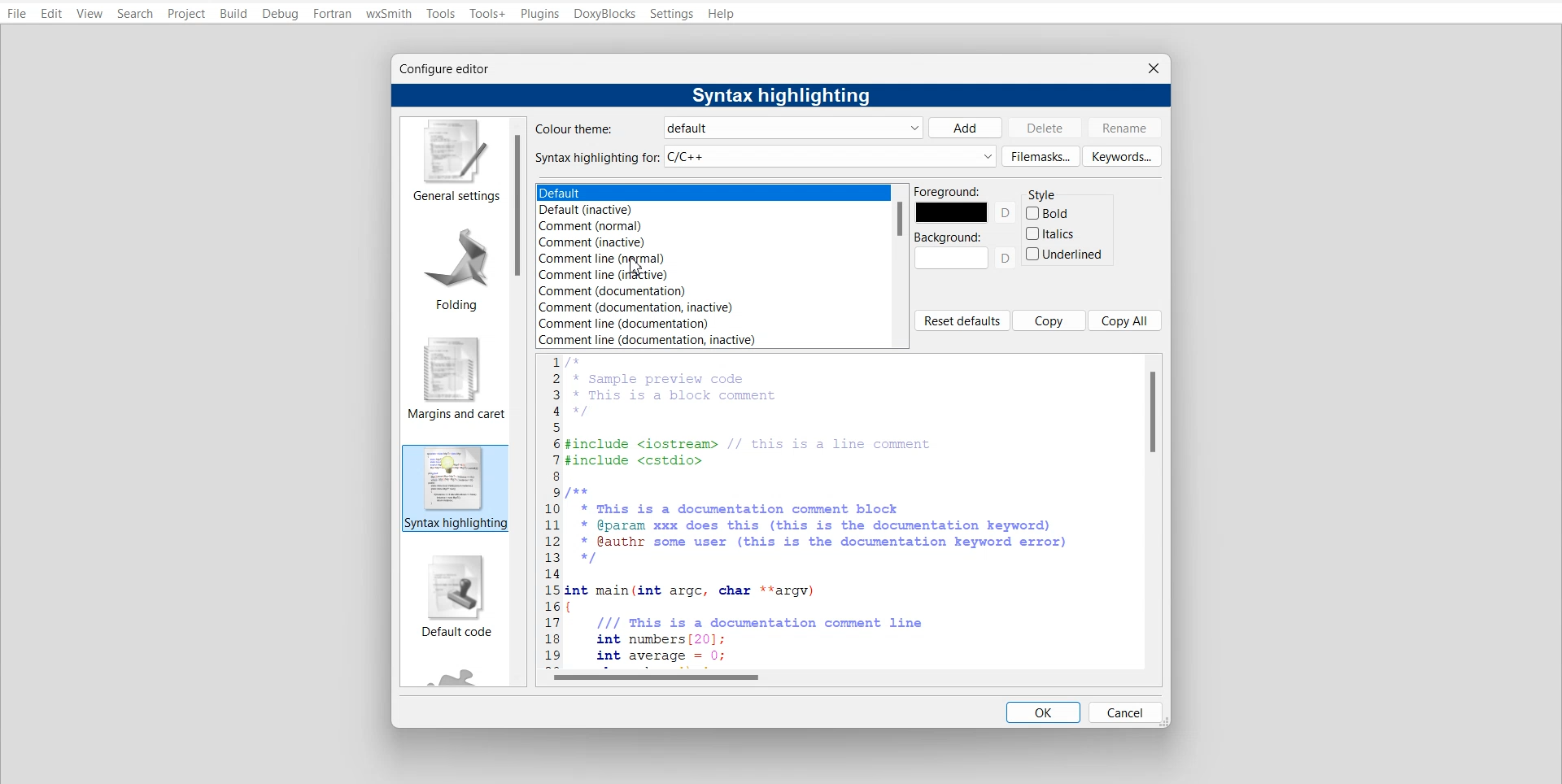 This screenshot has height=784, width=1562. I want to click on Keywords, so click(1124, 156).